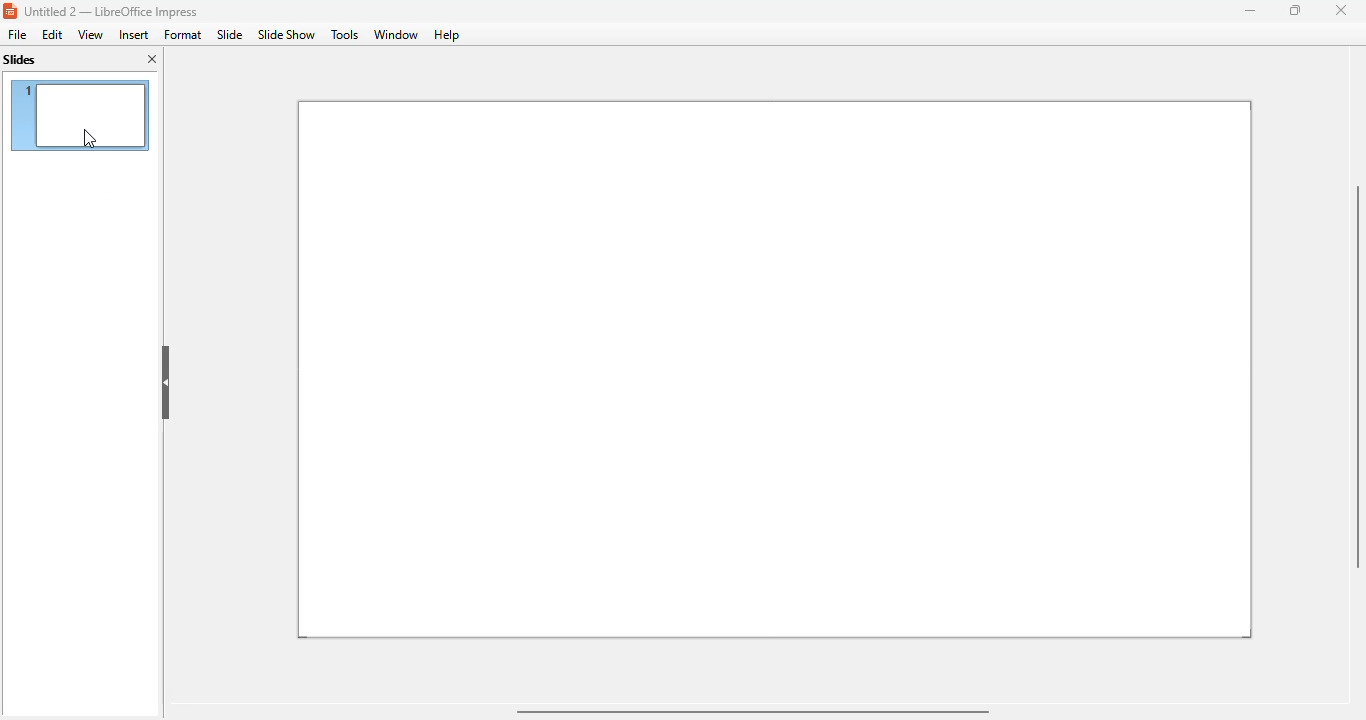  What do you see at coordinates (1250, 11) in the screenshot?
I see `minimize` at bounding box center [1250, 11].